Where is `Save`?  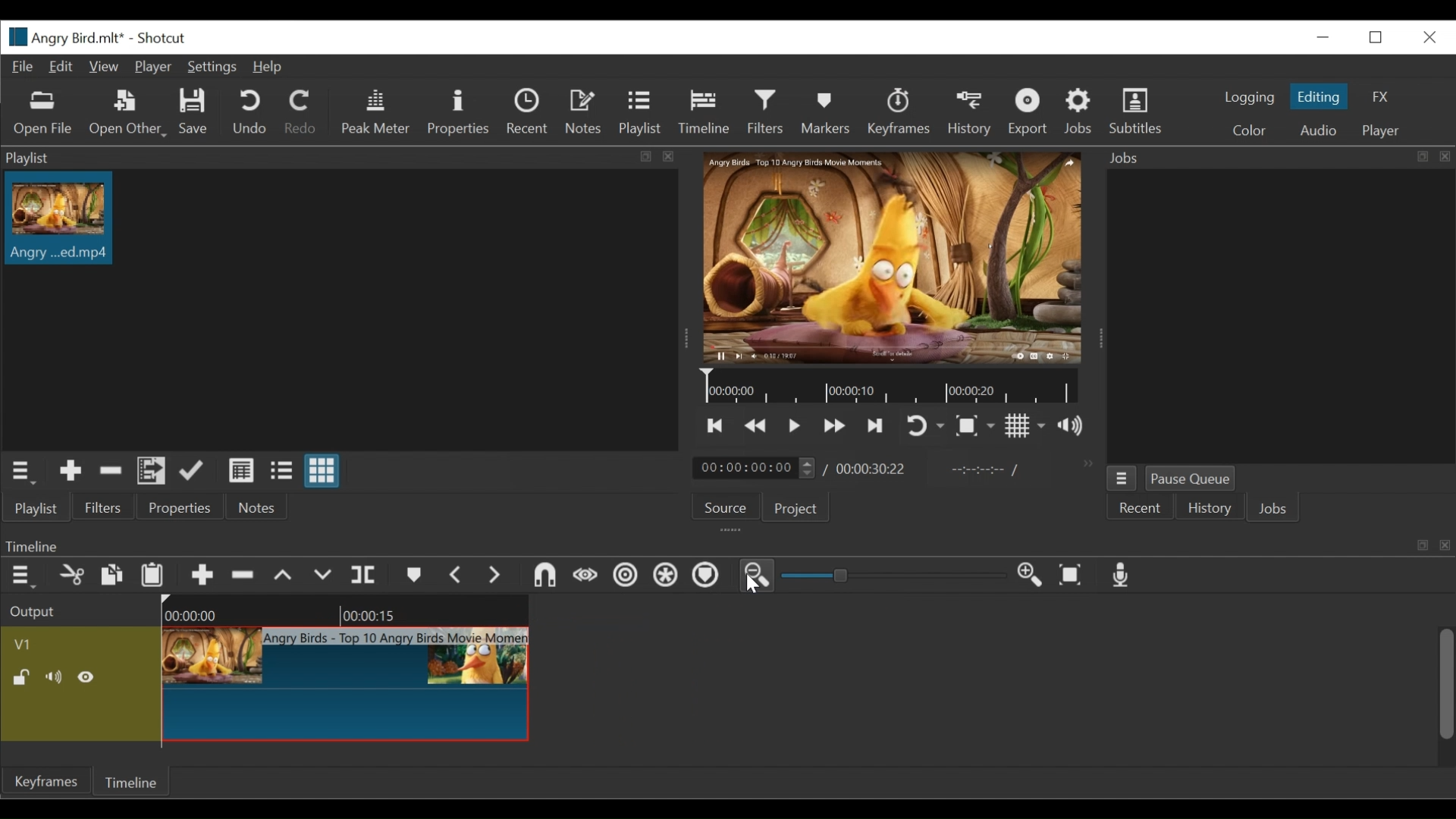
Save is located at coordinates (195, 113).